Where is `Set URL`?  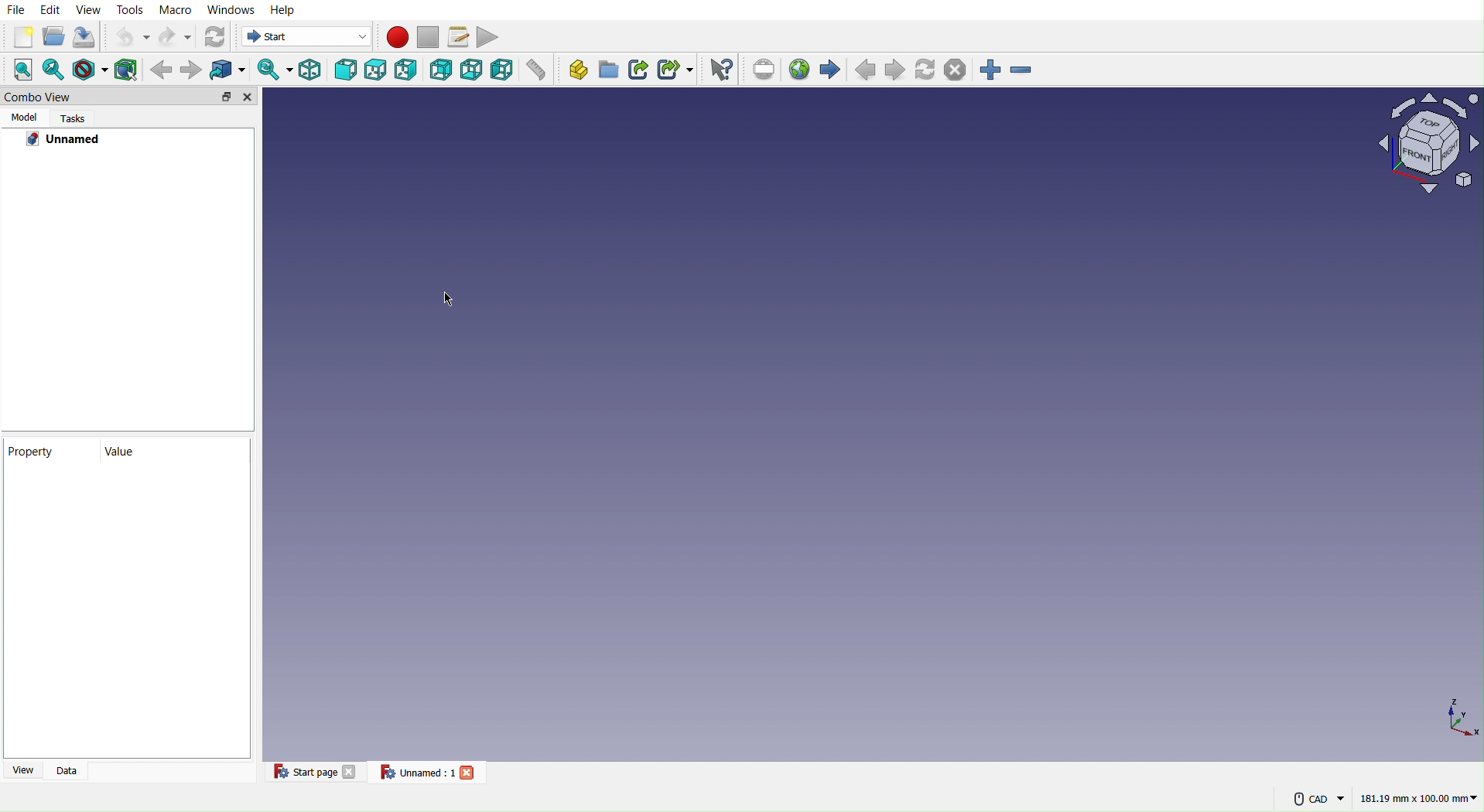
Set URL is located at coordinates (762, 68).